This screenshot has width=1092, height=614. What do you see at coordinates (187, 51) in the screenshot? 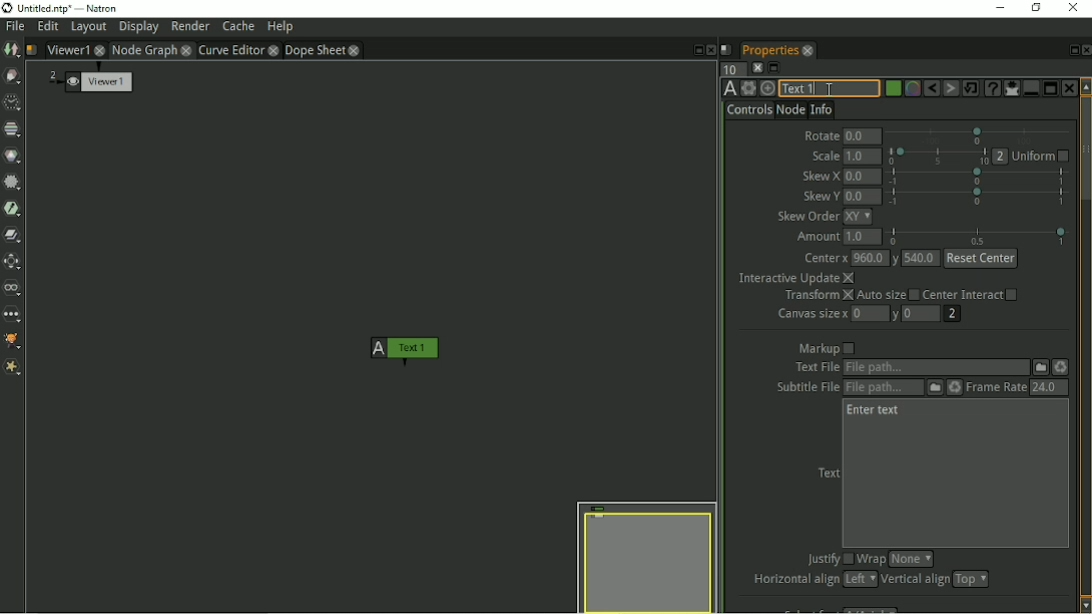
I see `close` at bounding box center [187, 51].